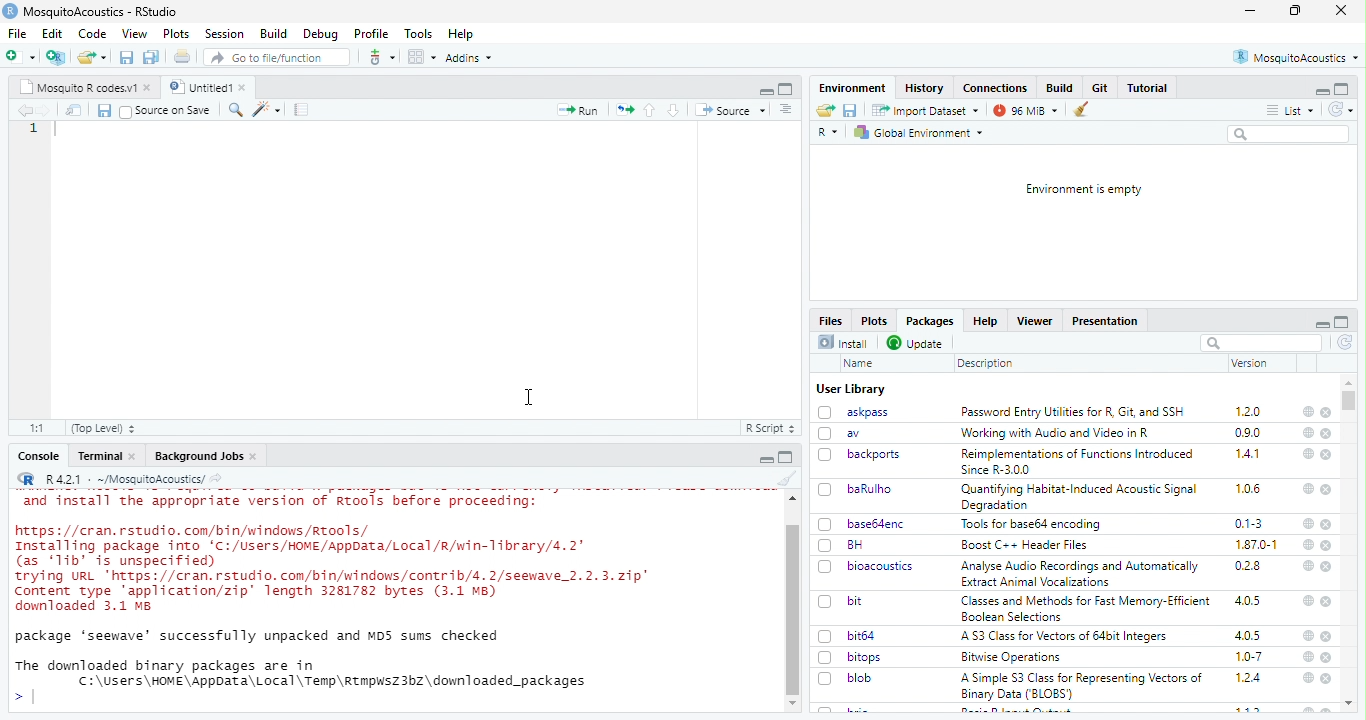  What do you see at coordinates (1066, 637) in the screenshot?
I see `A 'S3 Class for Vectors of 64bit Integers` at bounding box center [1066, 637].